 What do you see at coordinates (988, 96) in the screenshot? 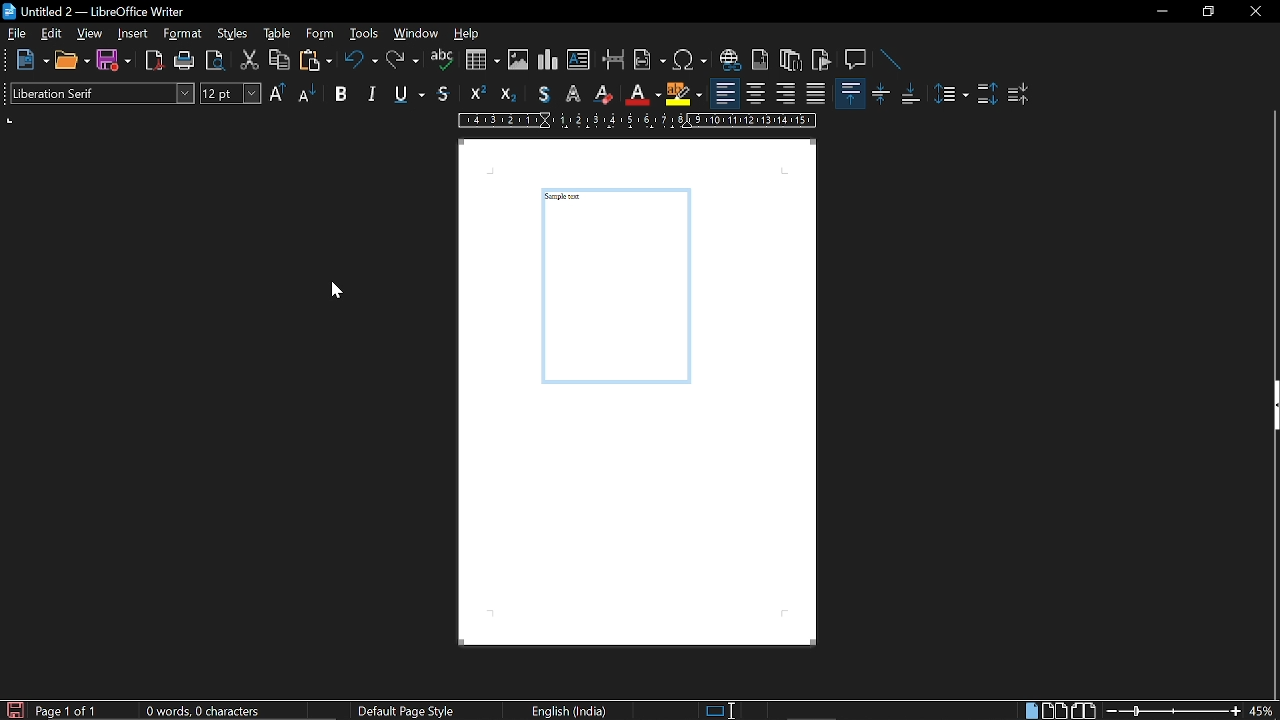
I see `Paragraph style 1` at bounding box center [988, 96].